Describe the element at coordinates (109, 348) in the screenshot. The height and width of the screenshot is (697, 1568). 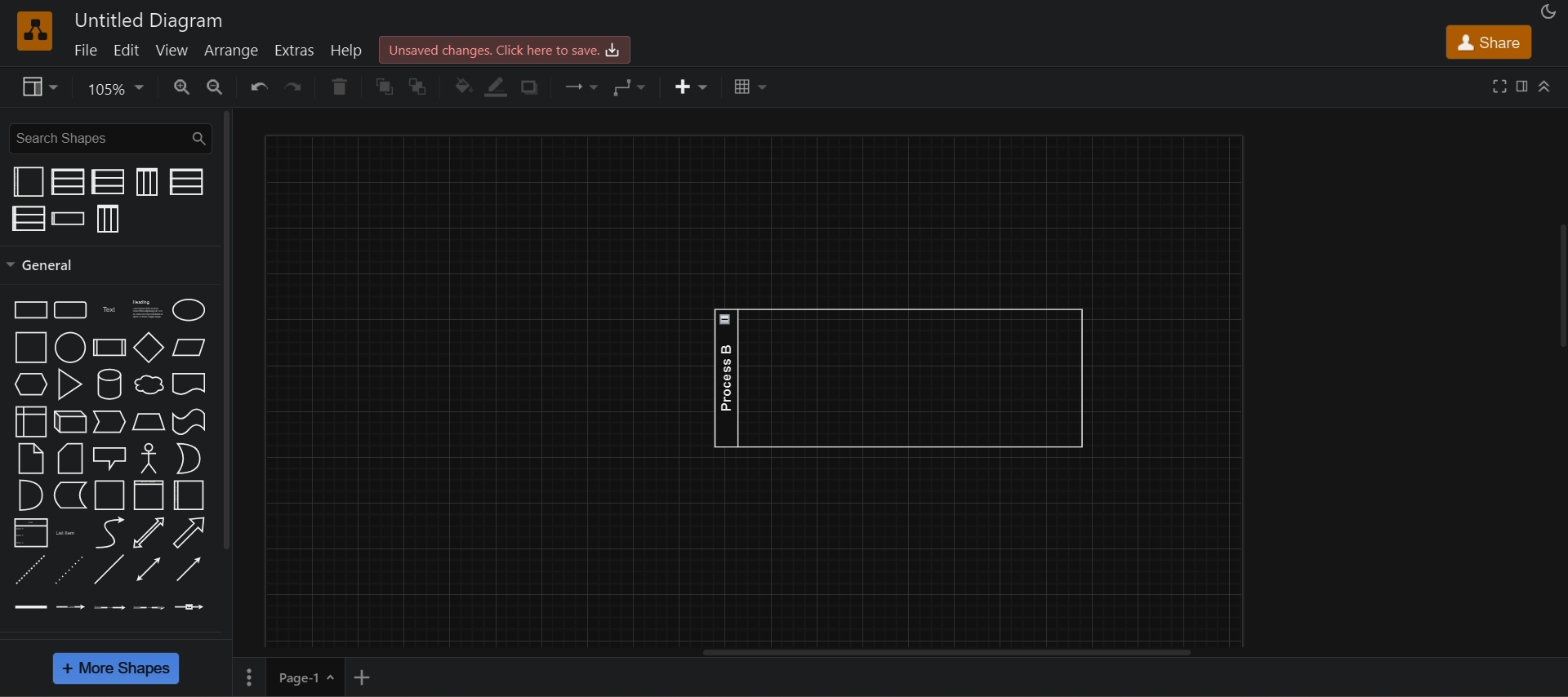
I see `process` at that location.